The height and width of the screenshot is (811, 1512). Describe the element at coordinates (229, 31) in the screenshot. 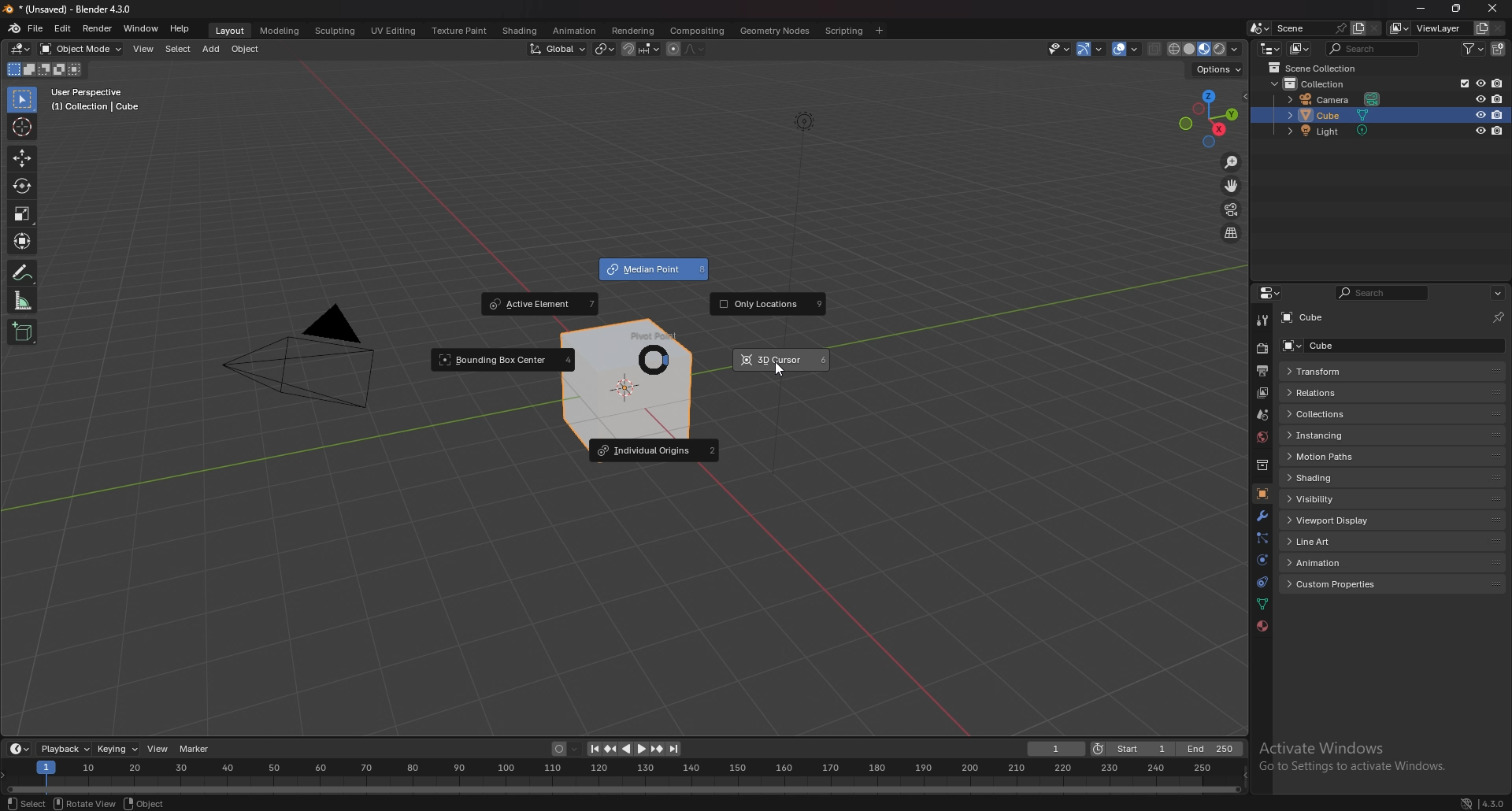

I see `layout` at that location.